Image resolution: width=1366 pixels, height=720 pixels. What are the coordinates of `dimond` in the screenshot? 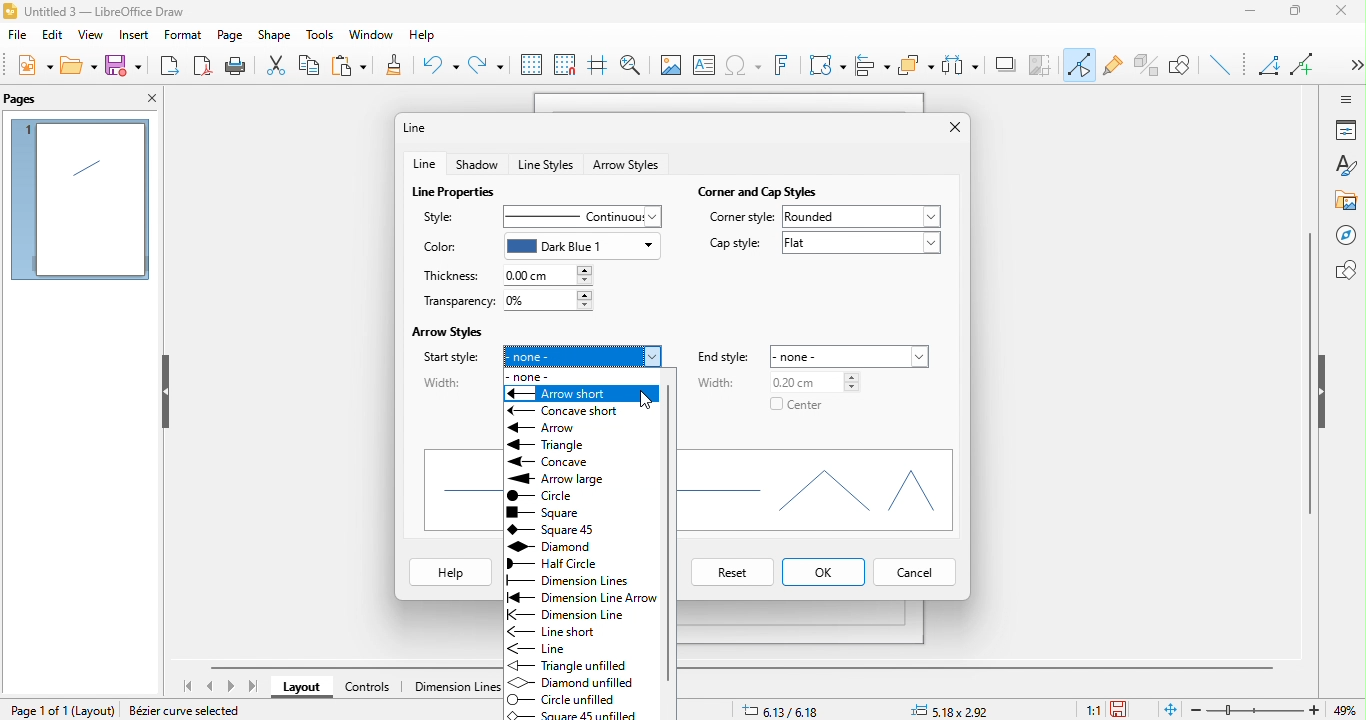 It's located at (568, 546).